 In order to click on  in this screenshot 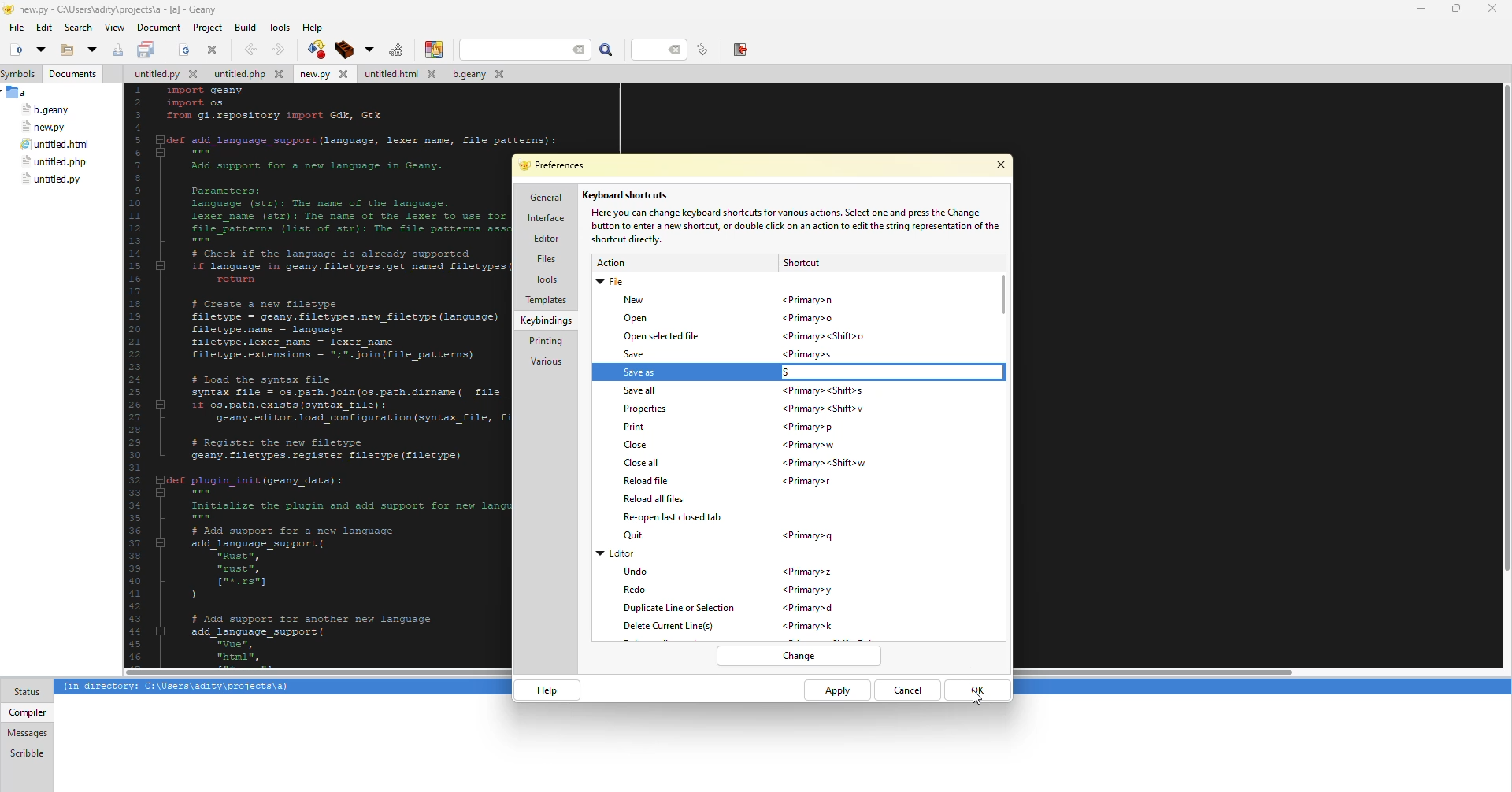, I will do `click(1500, 379)`.